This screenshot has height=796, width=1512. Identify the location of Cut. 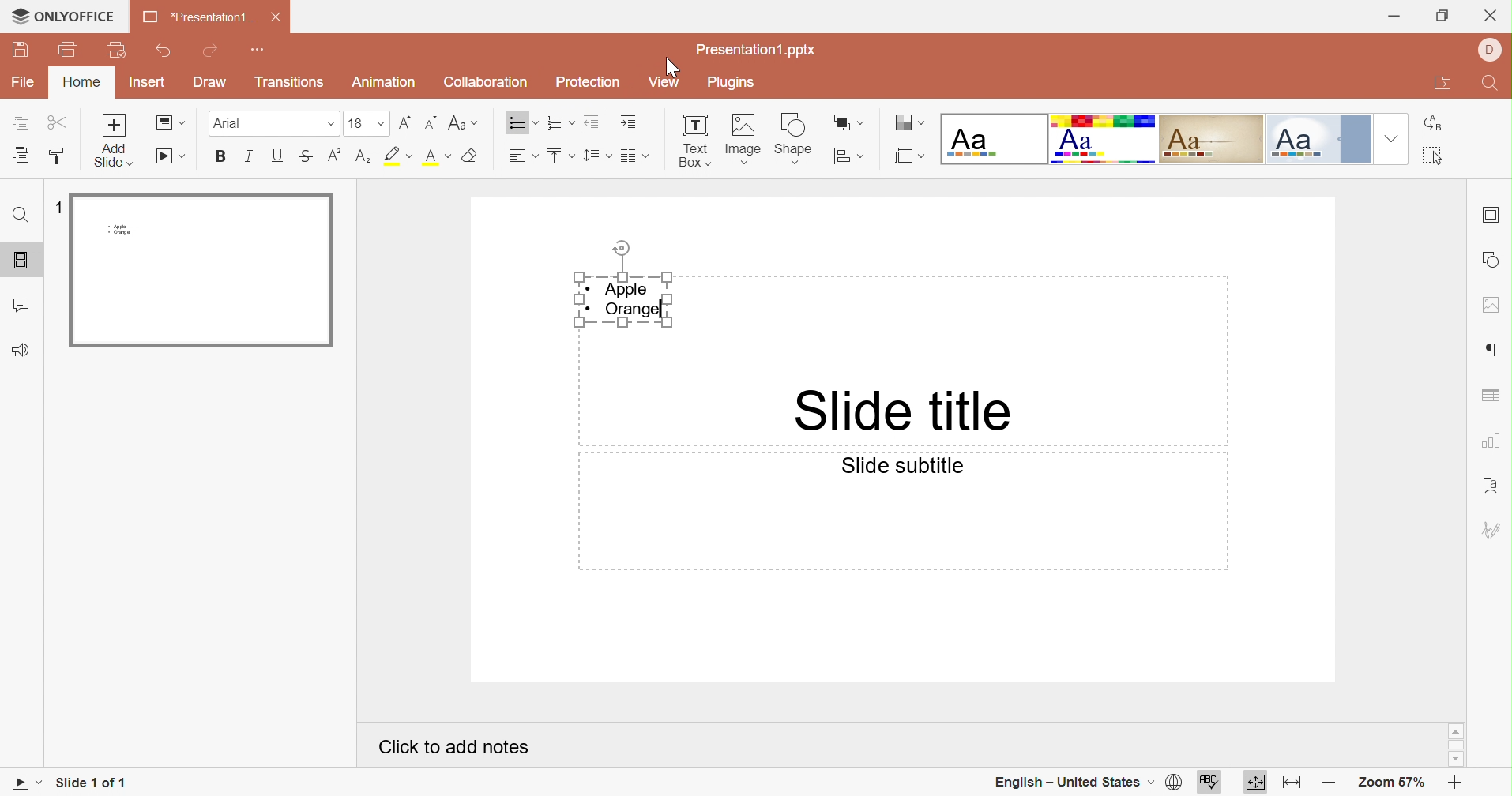
(59, 123).